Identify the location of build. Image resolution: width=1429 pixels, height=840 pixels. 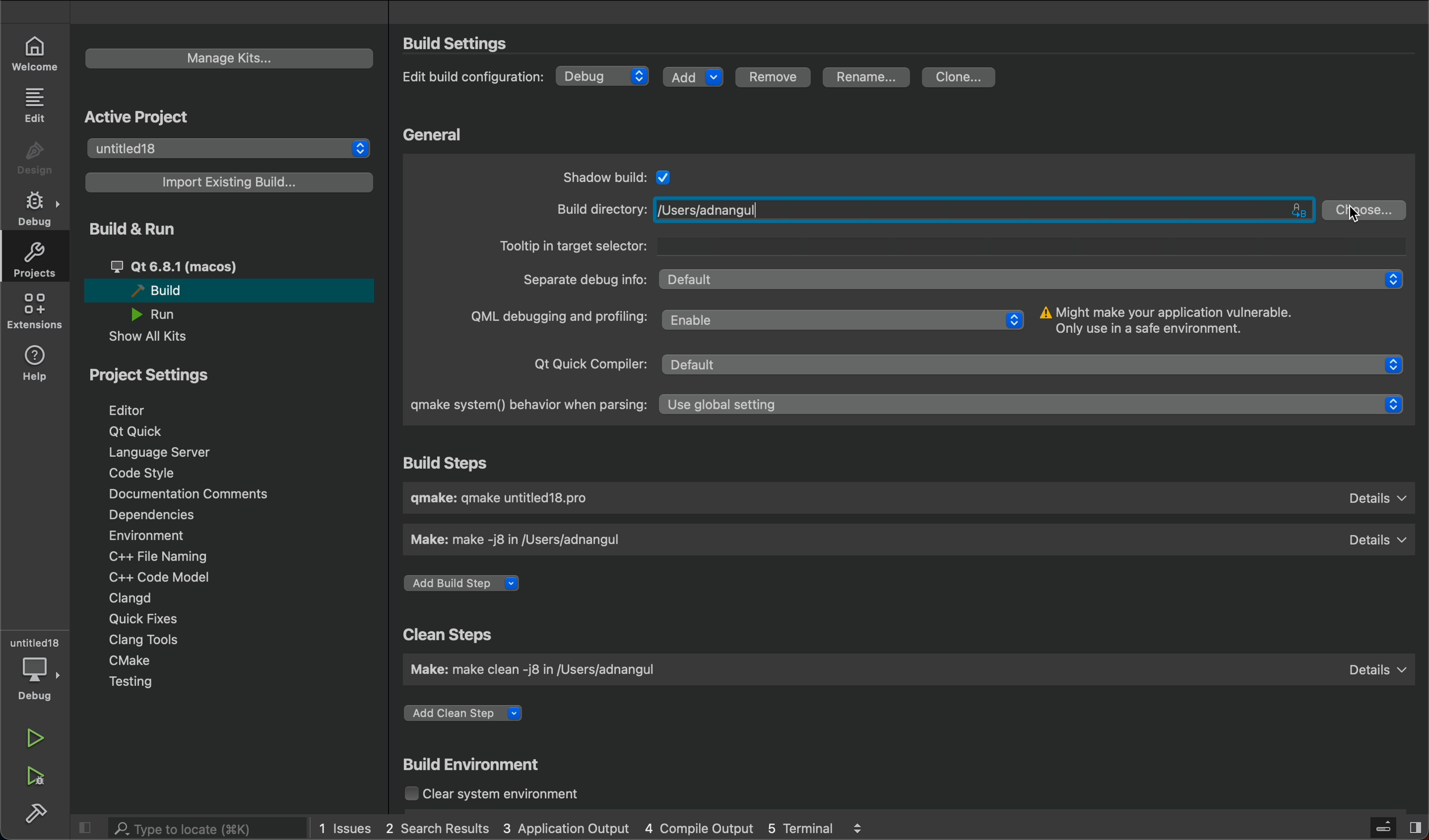
(225, 292).